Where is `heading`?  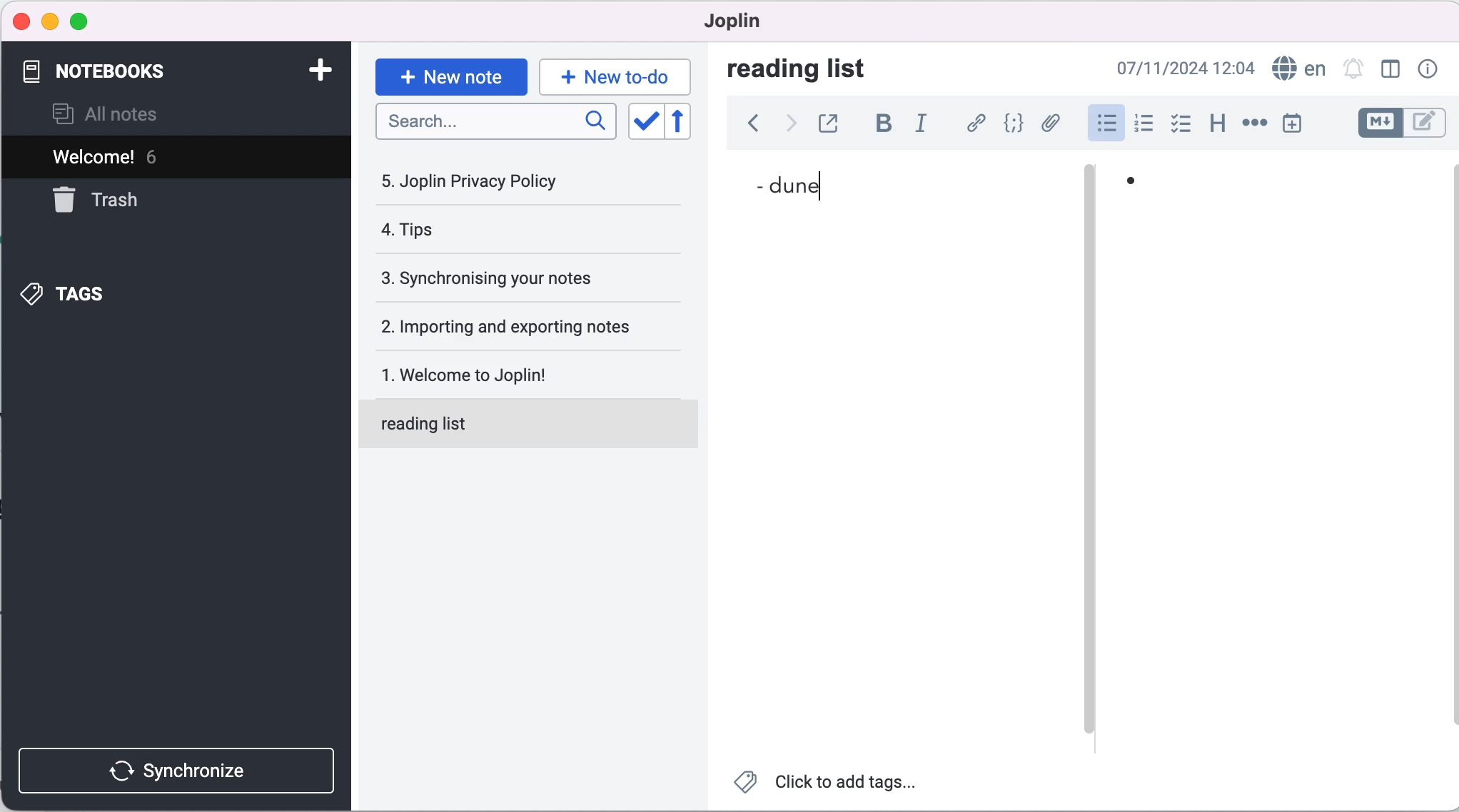 heading is located at coordinates (1218, 127).